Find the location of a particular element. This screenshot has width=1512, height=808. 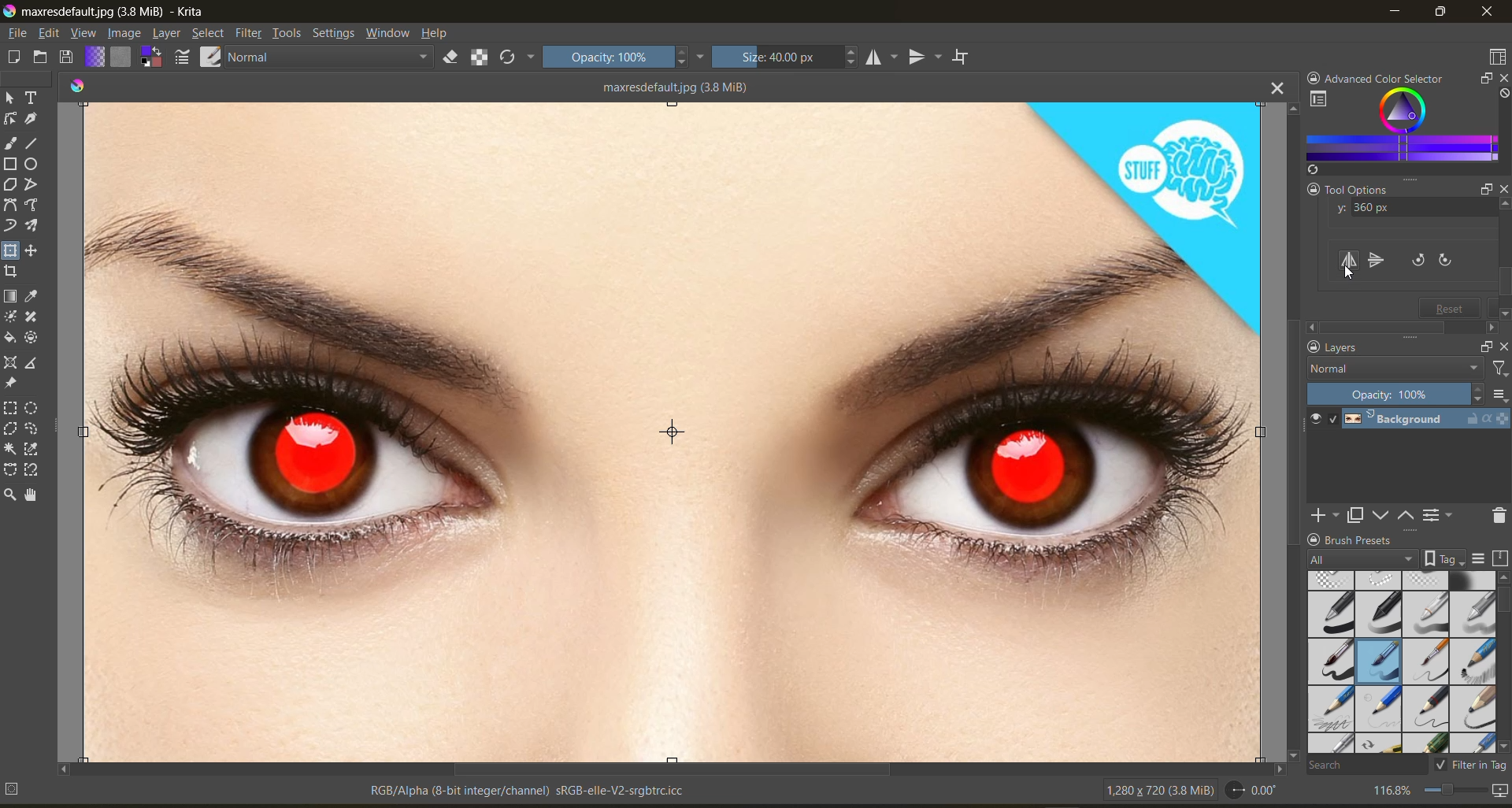

mask down is located at coordinates (1382, 515).